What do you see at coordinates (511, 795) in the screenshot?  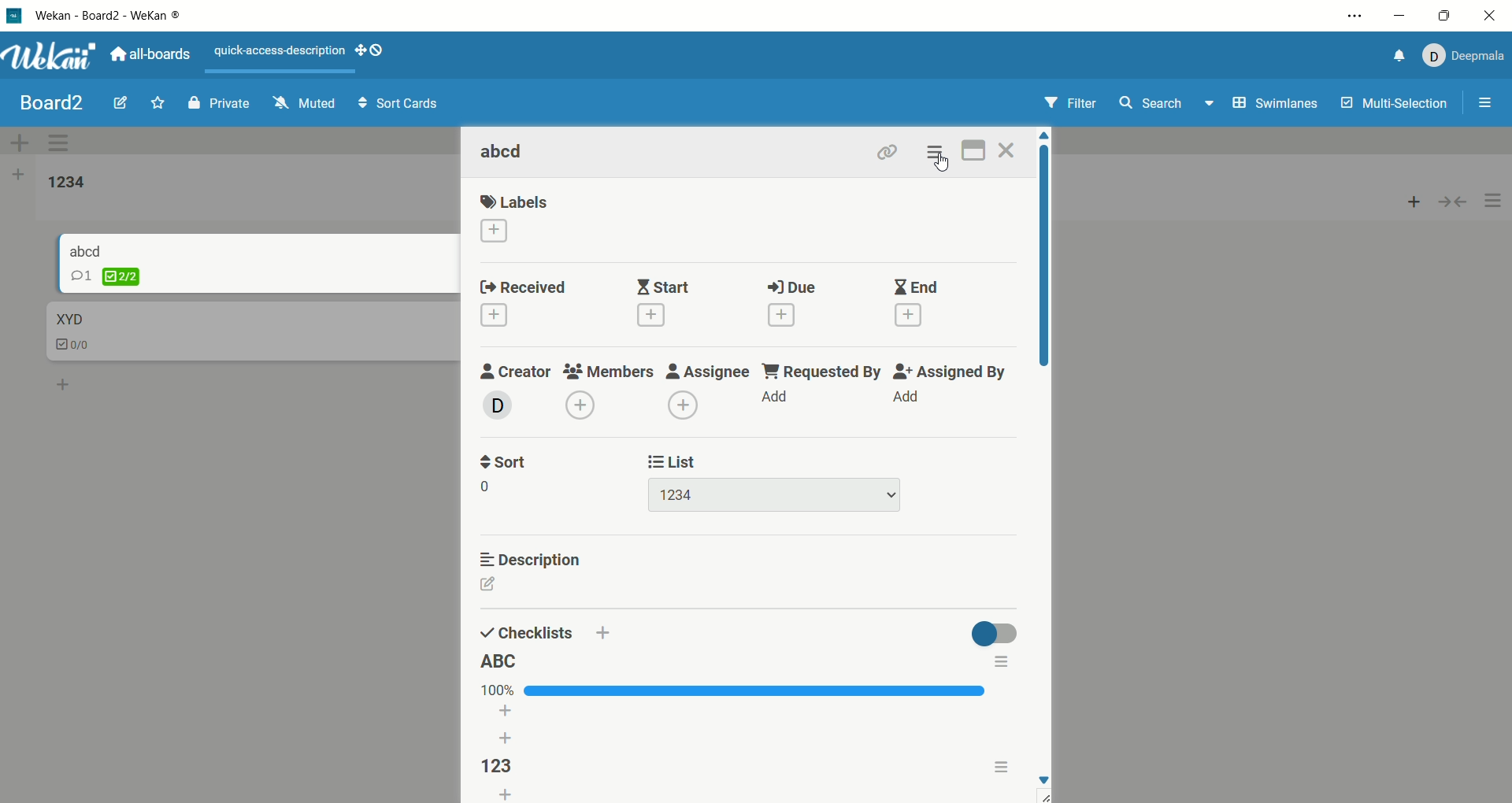 I see `list` at bounding box center [511, 795].